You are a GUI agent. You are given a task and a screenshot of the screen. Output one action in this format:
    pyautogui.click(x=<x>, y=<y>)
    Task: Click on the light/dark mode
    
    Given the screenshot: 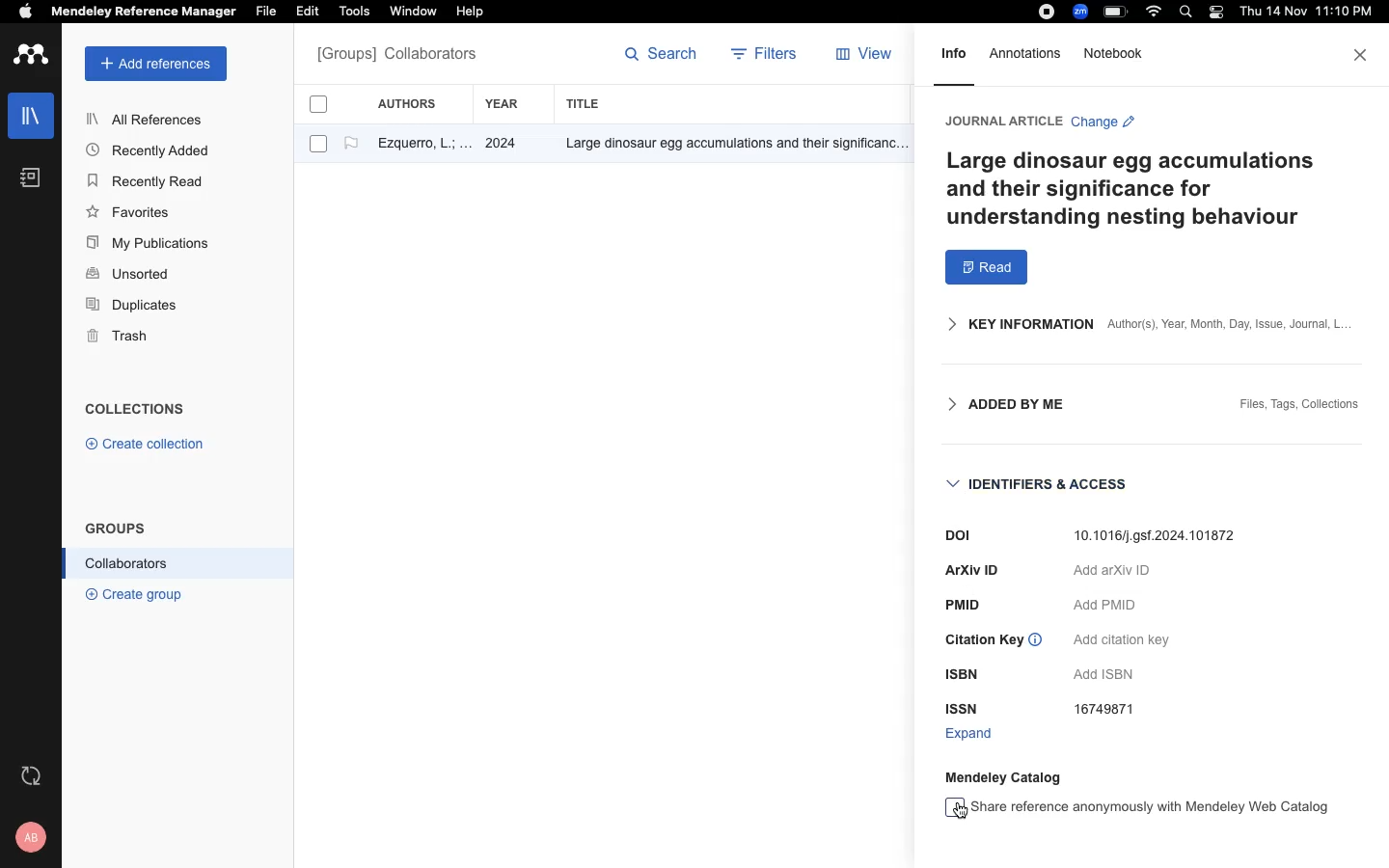 What is the action you would take?
    pyautogui.click(x=1215, y=12)
    